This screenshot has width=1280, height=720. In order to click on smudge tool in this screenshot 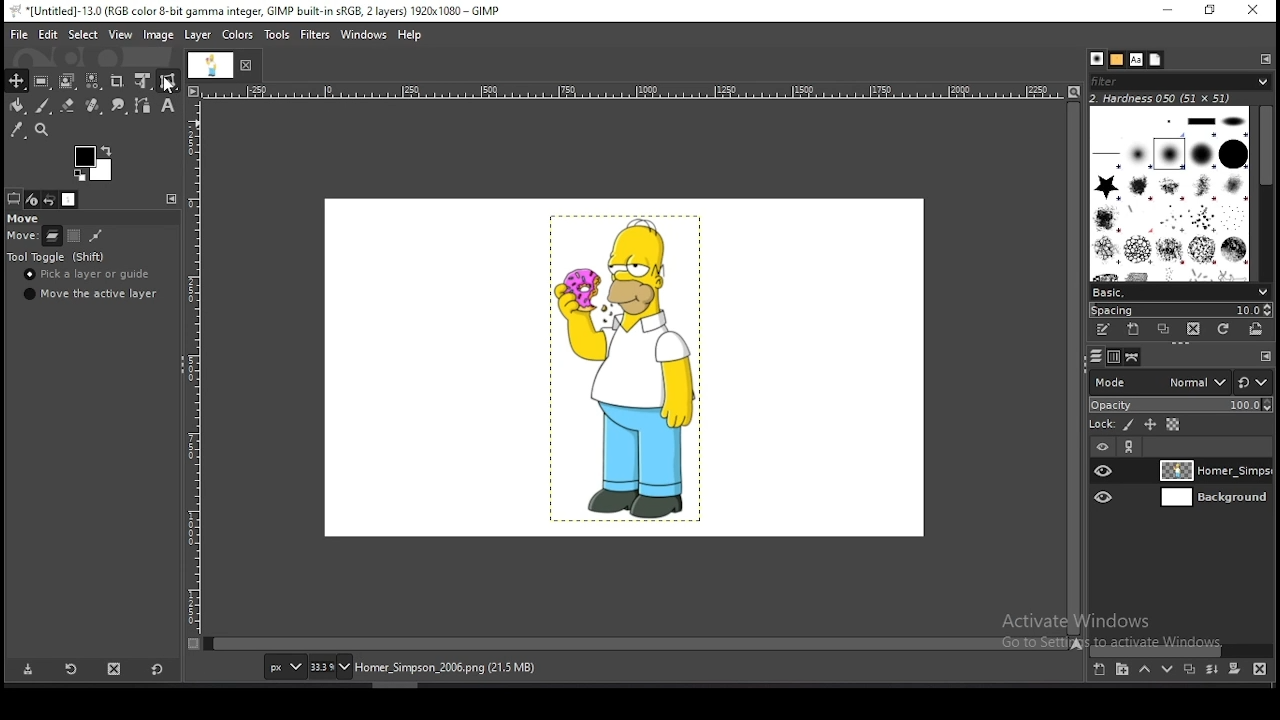, I will do `click(117, 105)`.